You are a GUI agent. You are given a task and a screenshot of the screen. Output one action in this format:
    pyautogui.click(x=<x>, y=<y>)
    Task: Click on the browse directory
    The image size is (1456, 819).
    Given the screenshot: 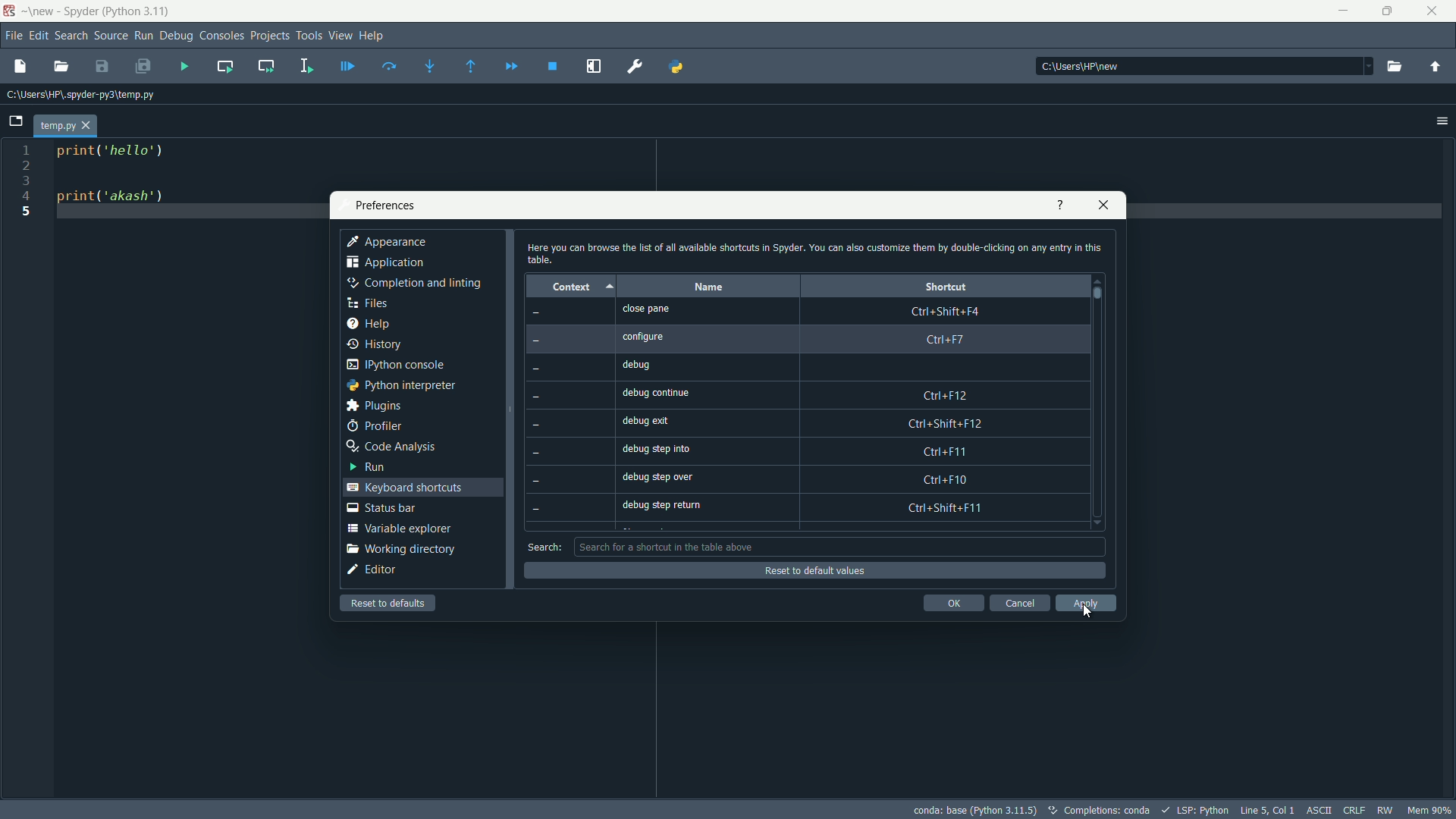 What is the action you would take?
    pyautogui.click(x=1396, y=67)
    